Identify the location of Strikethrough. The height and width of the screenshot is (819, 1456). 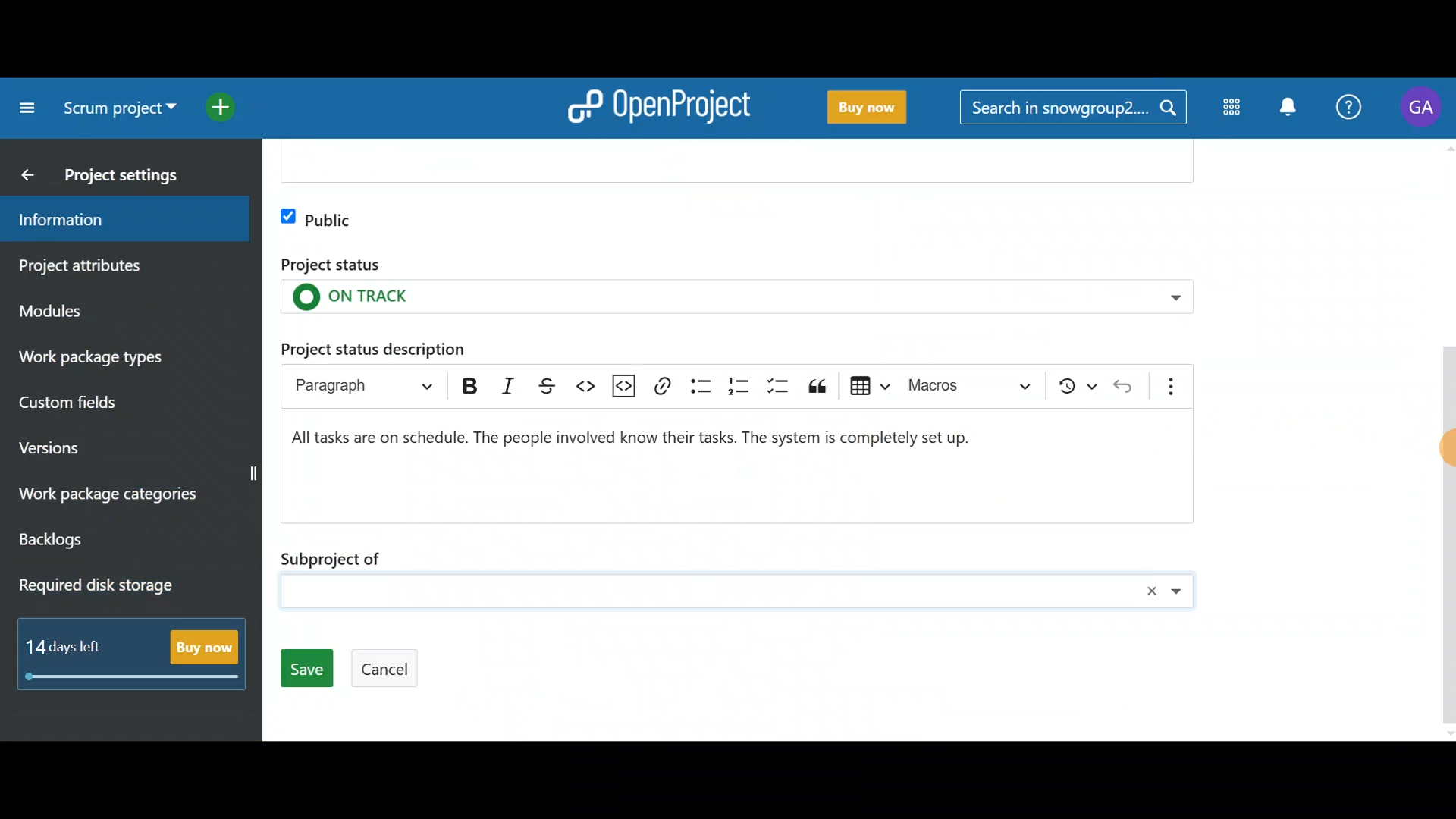
(544, 385).